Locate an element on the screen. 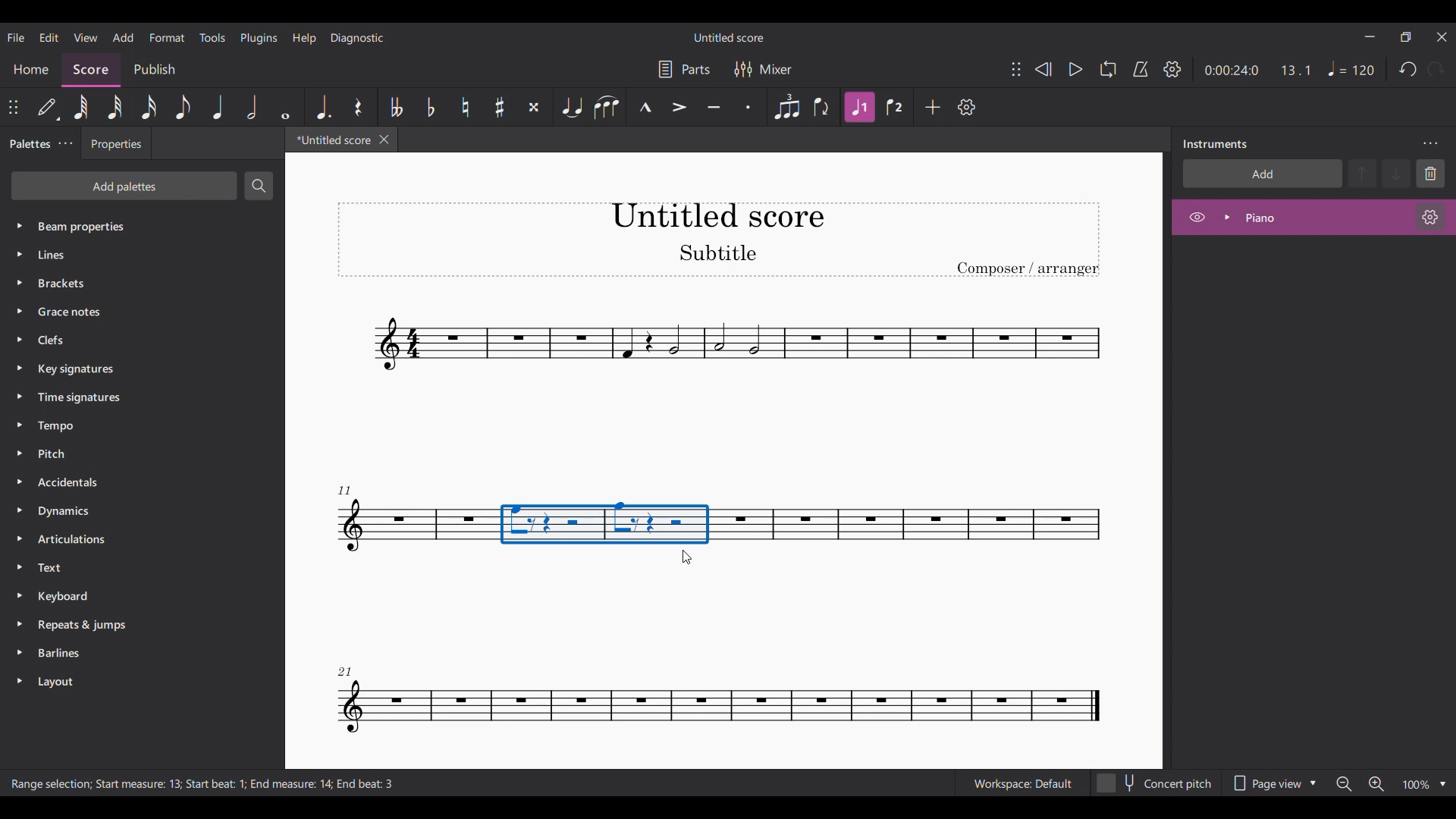  Mixer settings is located at coordinates (764, 69).